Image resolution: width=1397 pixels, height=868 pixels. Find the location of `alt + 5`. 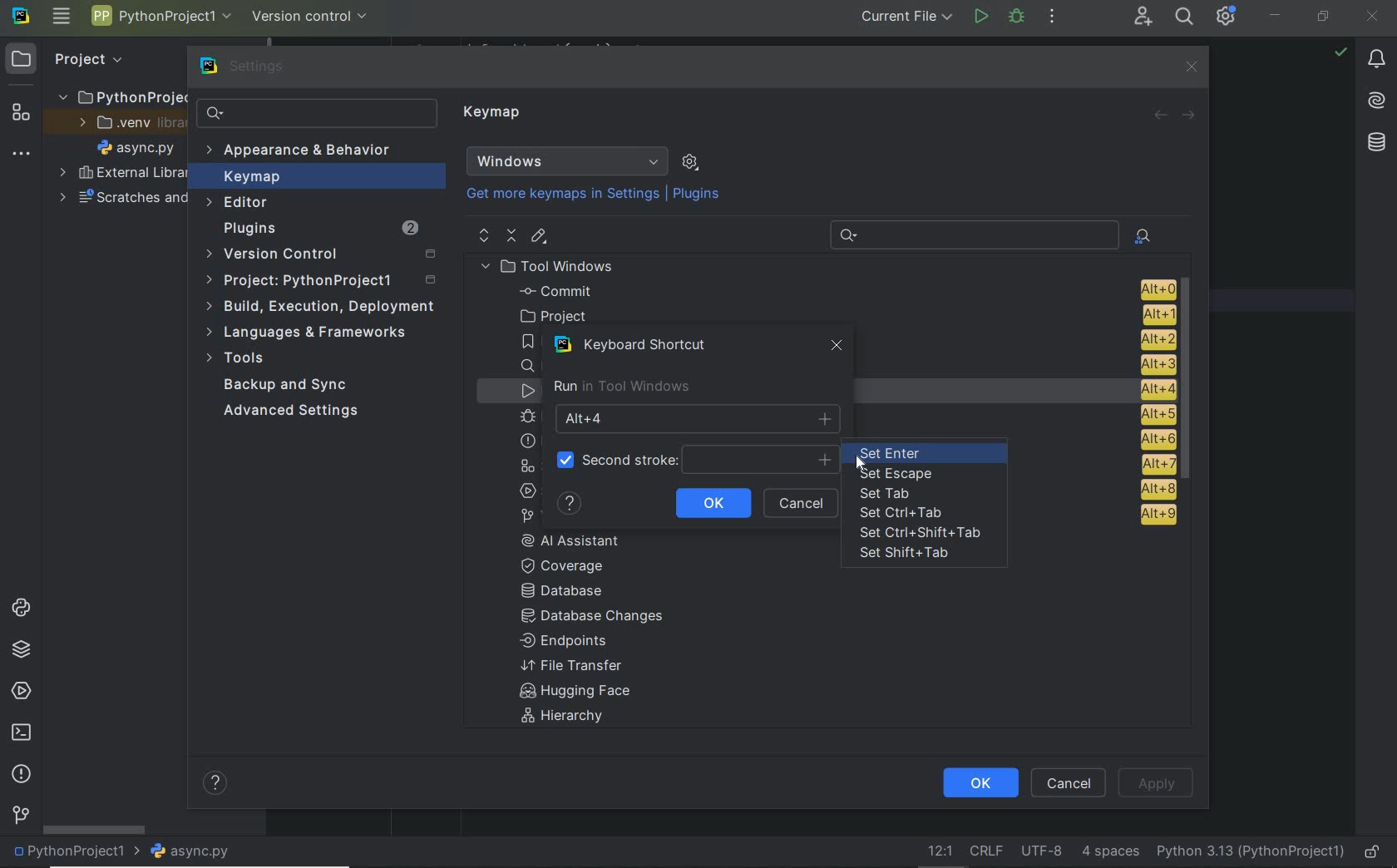

alt + 5 is located at coordinates (1155, 415).